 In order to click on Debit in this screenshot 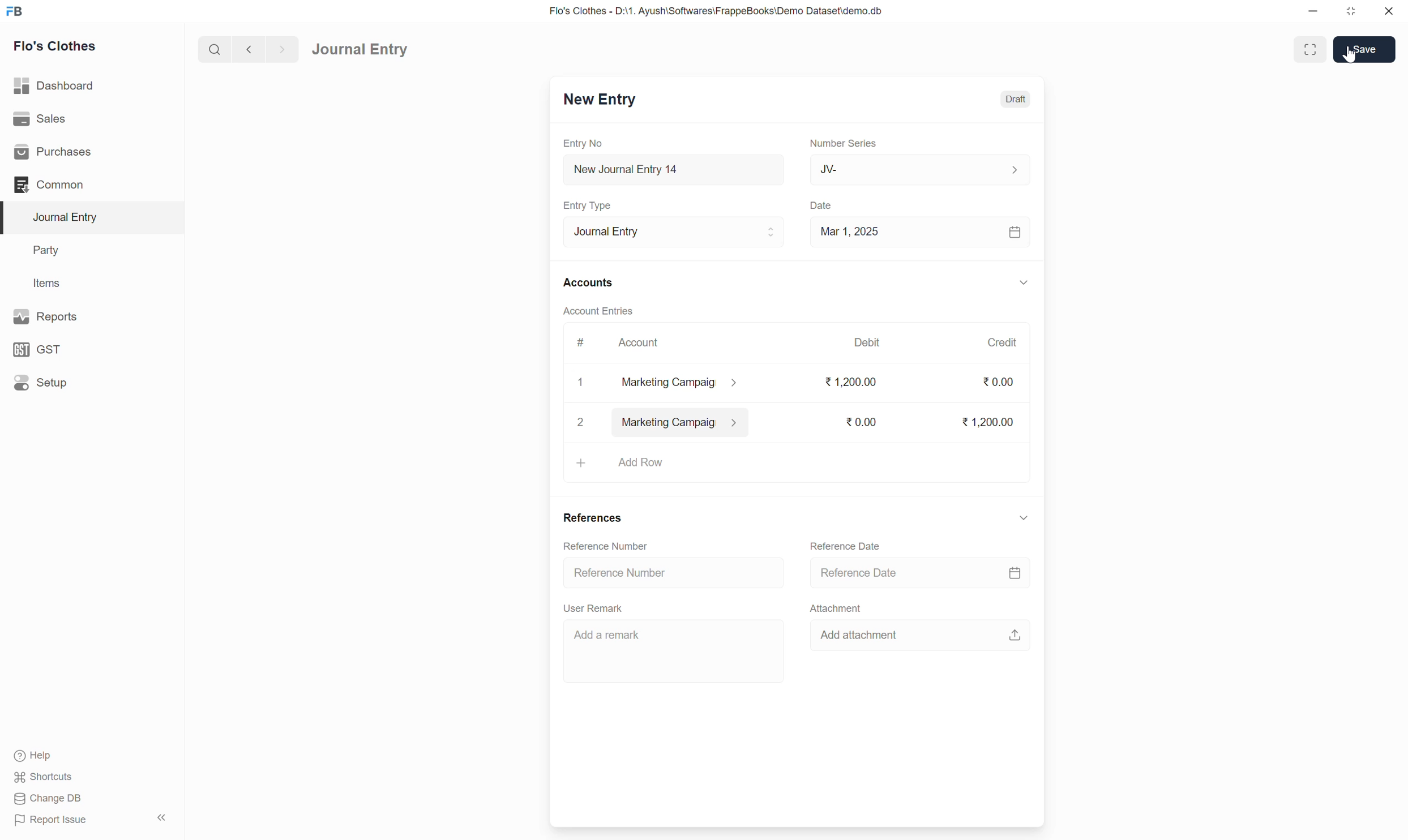, I will do `click(867, 341)`.